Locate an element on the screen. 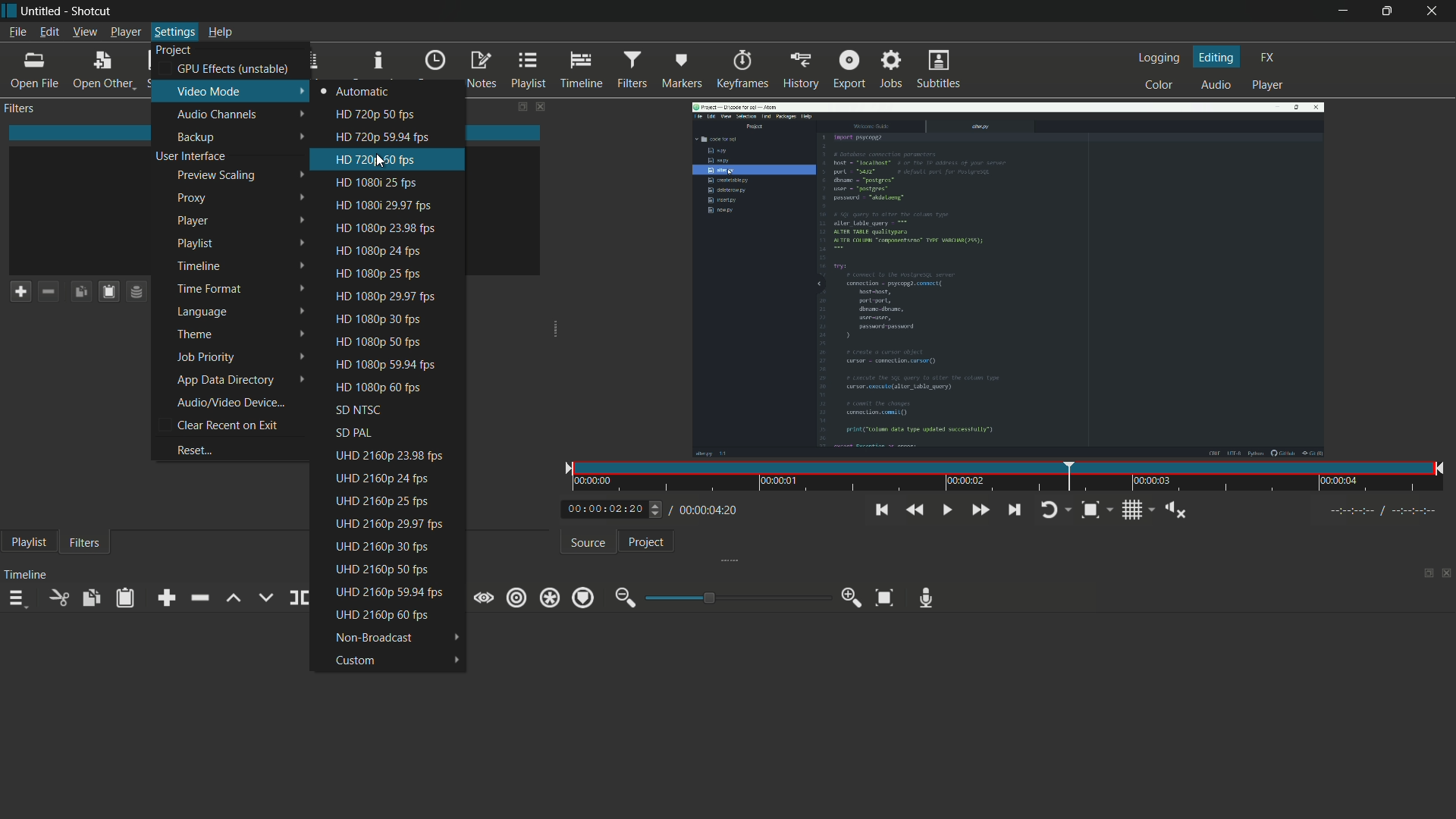  hd 720p 50 fps is located at coordinates (395, 115).